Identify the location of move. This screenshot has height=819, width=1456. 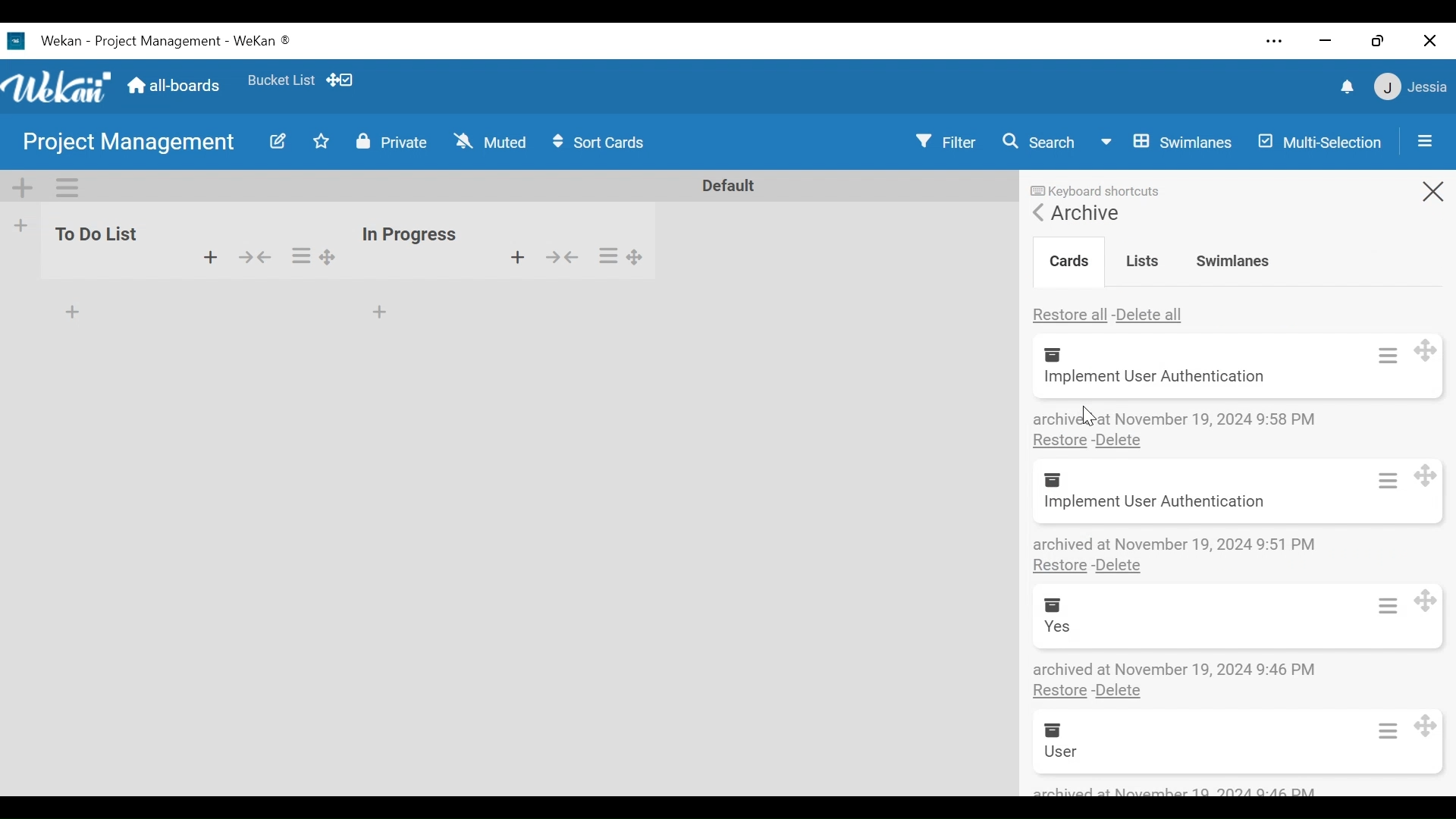
(1426, 478).